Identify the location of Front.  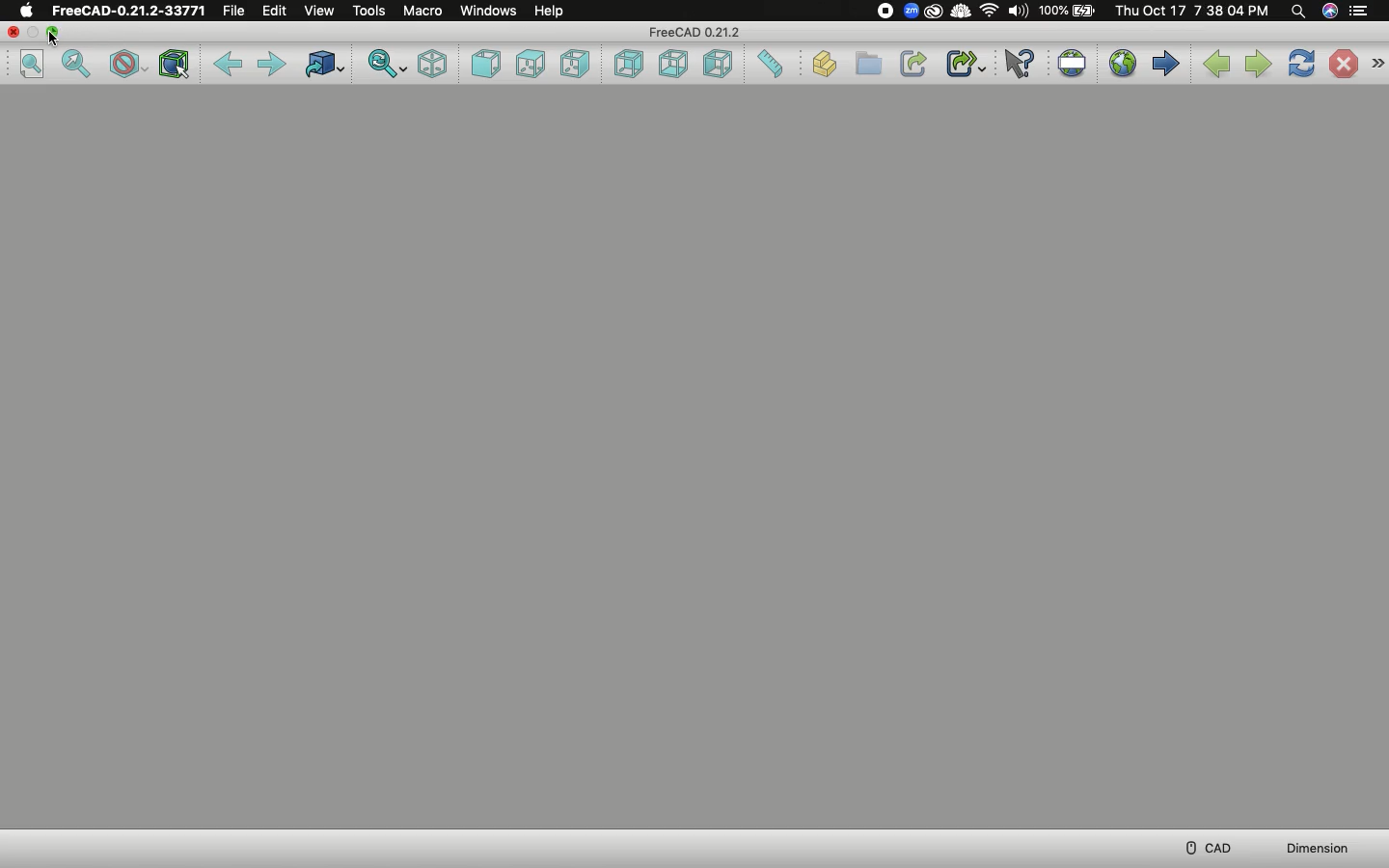
(484, 64).